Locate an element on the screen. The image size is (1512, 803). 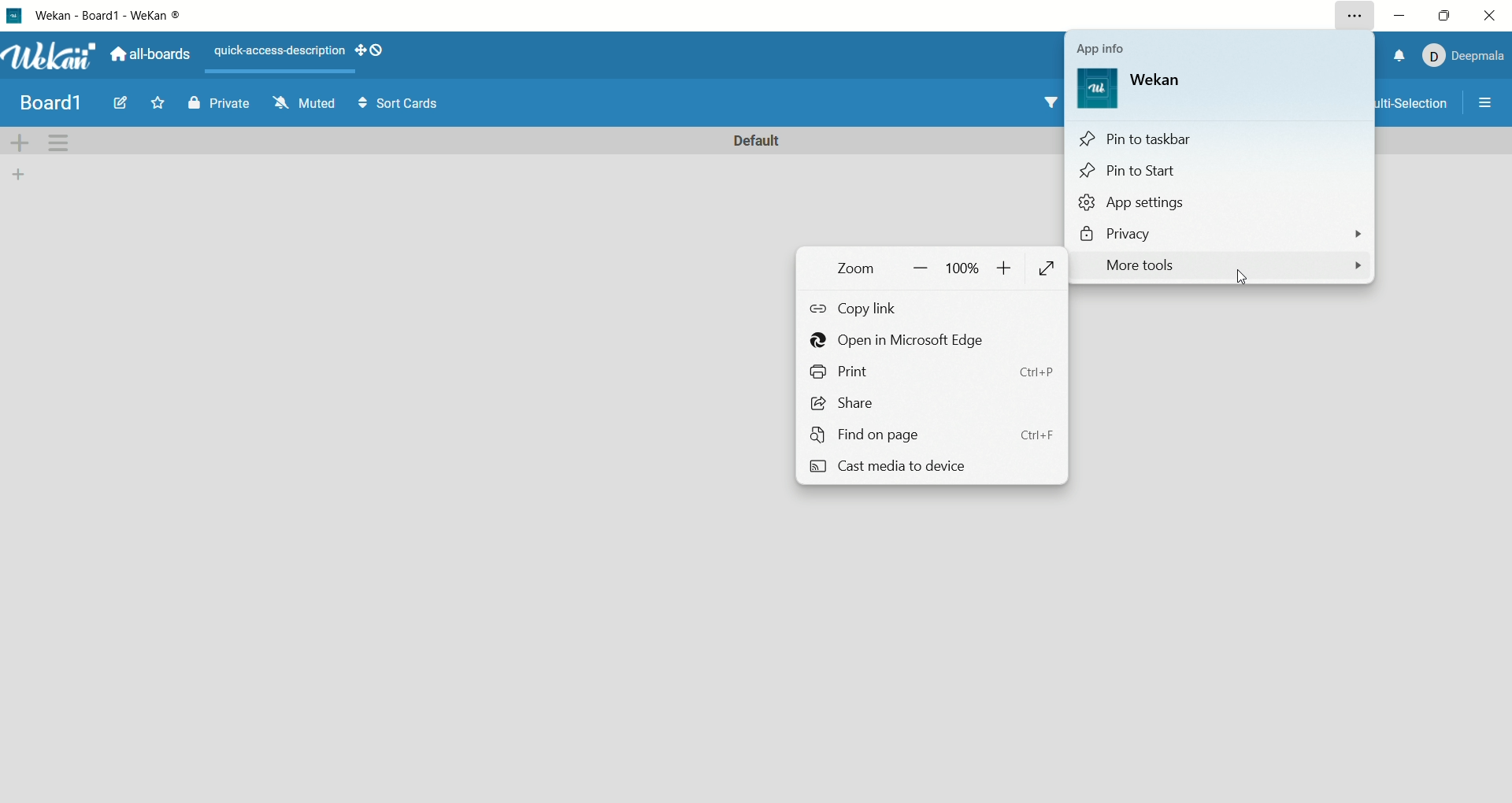
title is located at coordinates (115, 14).